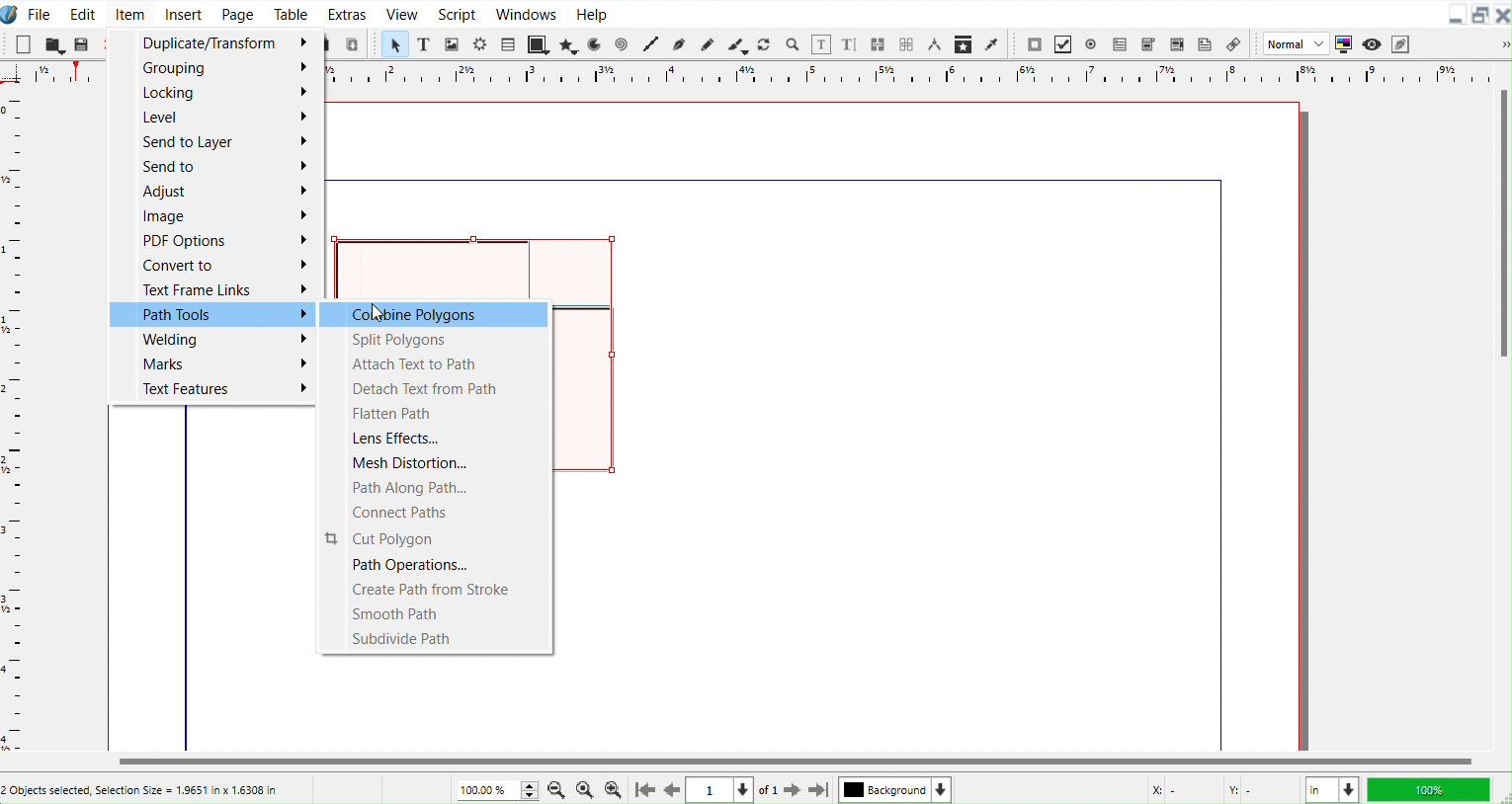 The width and height of the screenshot is (1512, 804). I want to click on PDF Text Field, so click(1120, 43).